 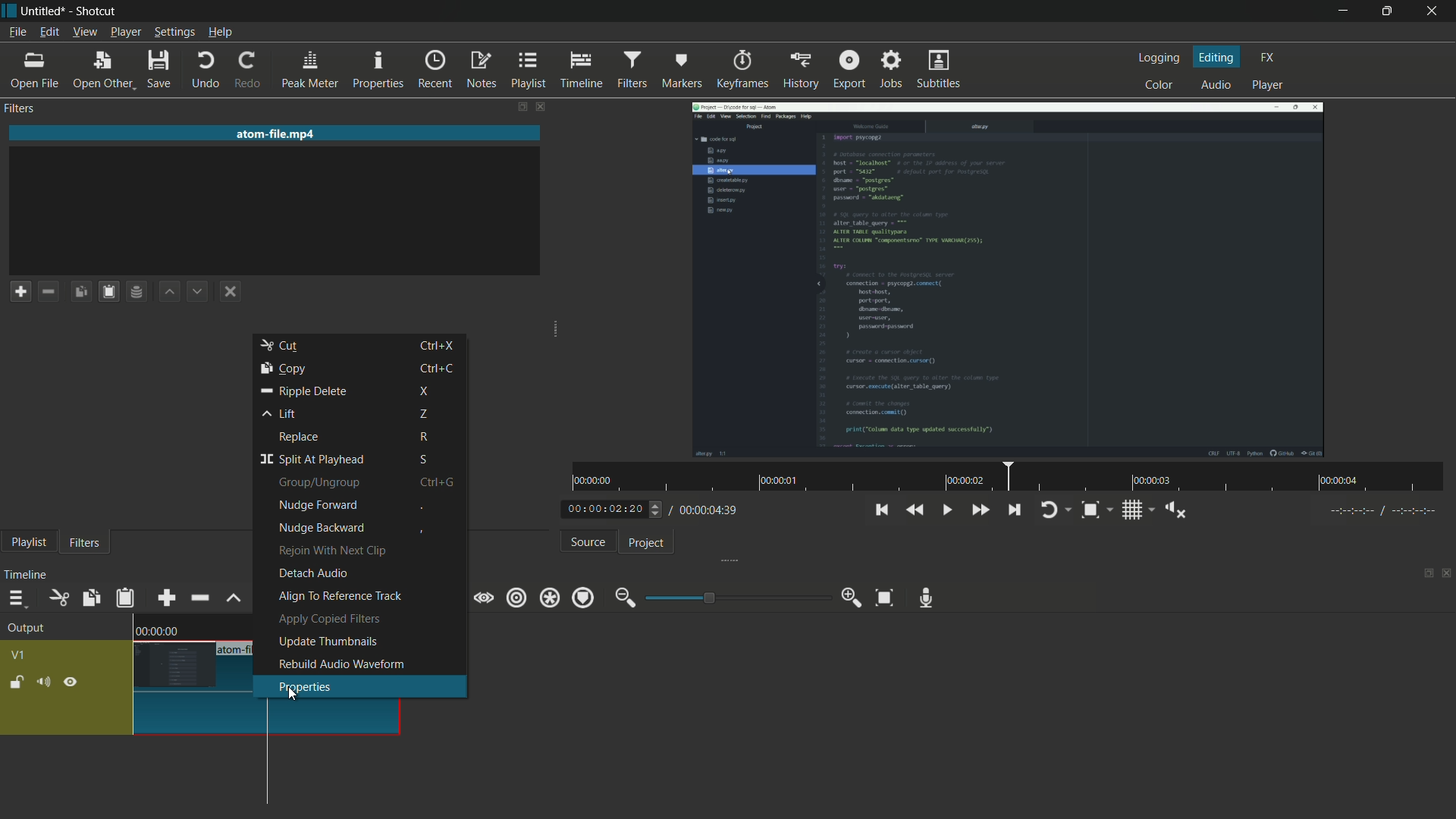 I want to click on playlist, so click(x=28, y=542).